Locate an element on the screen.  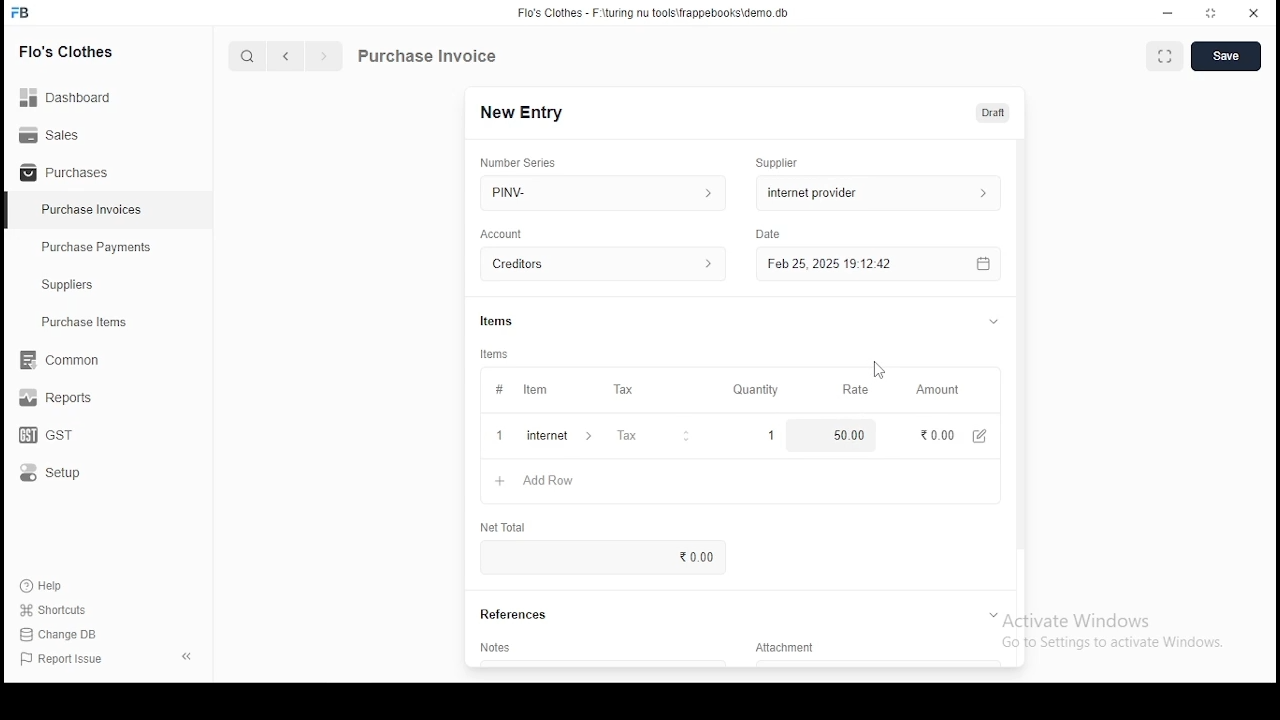
toggle between form and fullscreen  is located at coordinates (1166, 58).